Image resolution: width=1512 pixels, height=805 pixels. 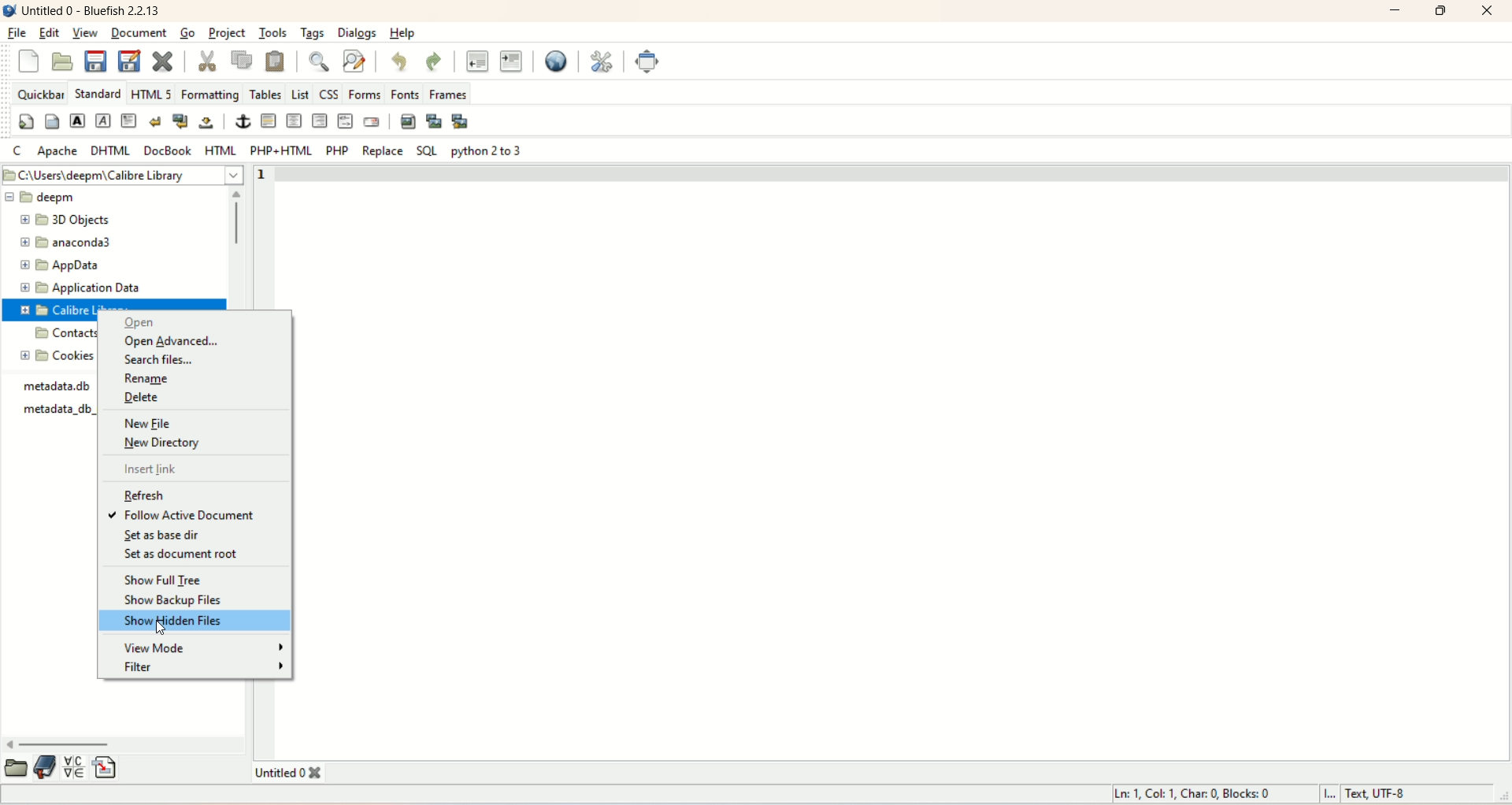 What do you see at coordinates (93, 13) in the screenshot?
I see `title` at bounding box center [93, 13].